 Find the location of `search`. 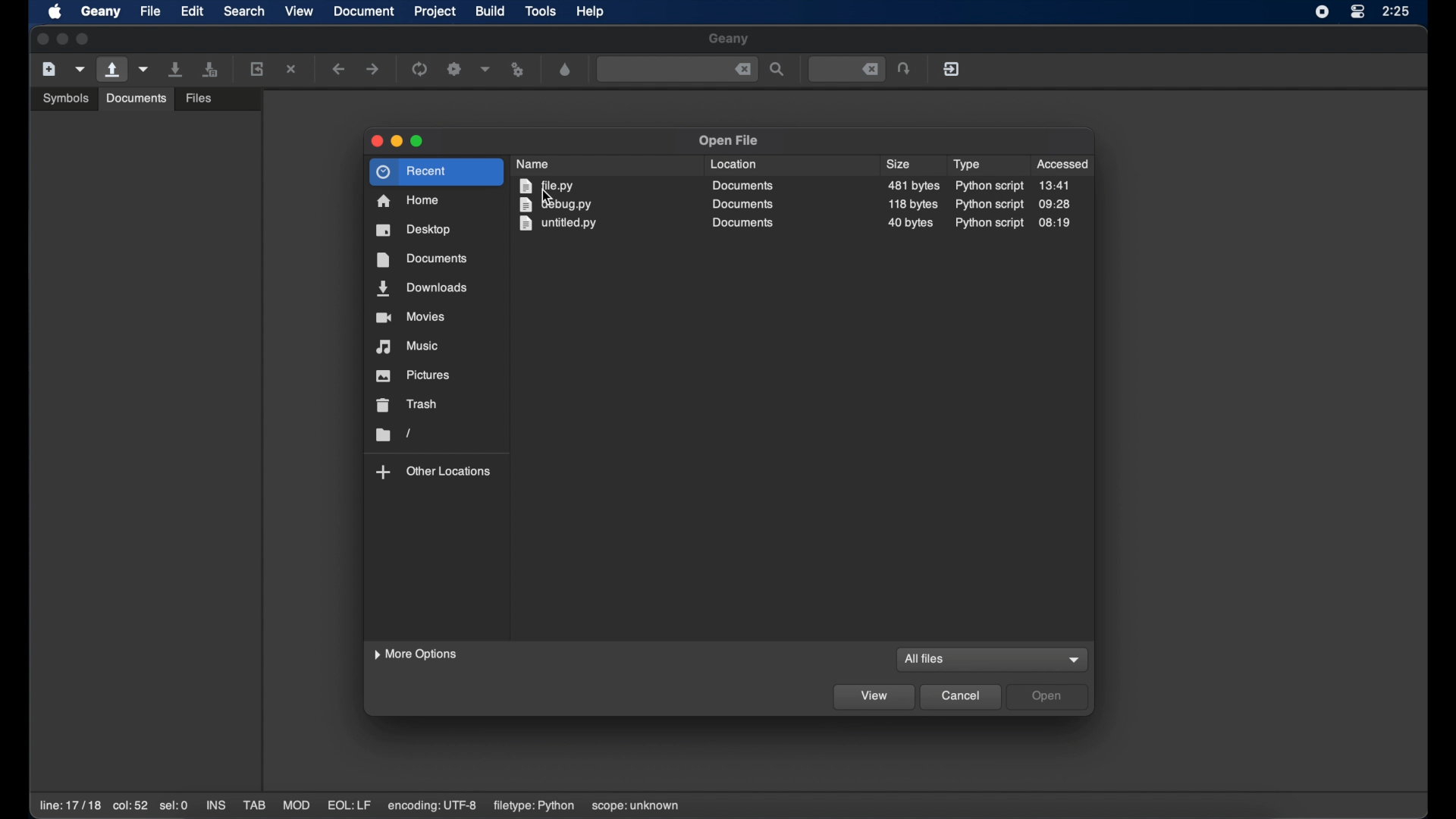

search is located at coordinates (778, 70).